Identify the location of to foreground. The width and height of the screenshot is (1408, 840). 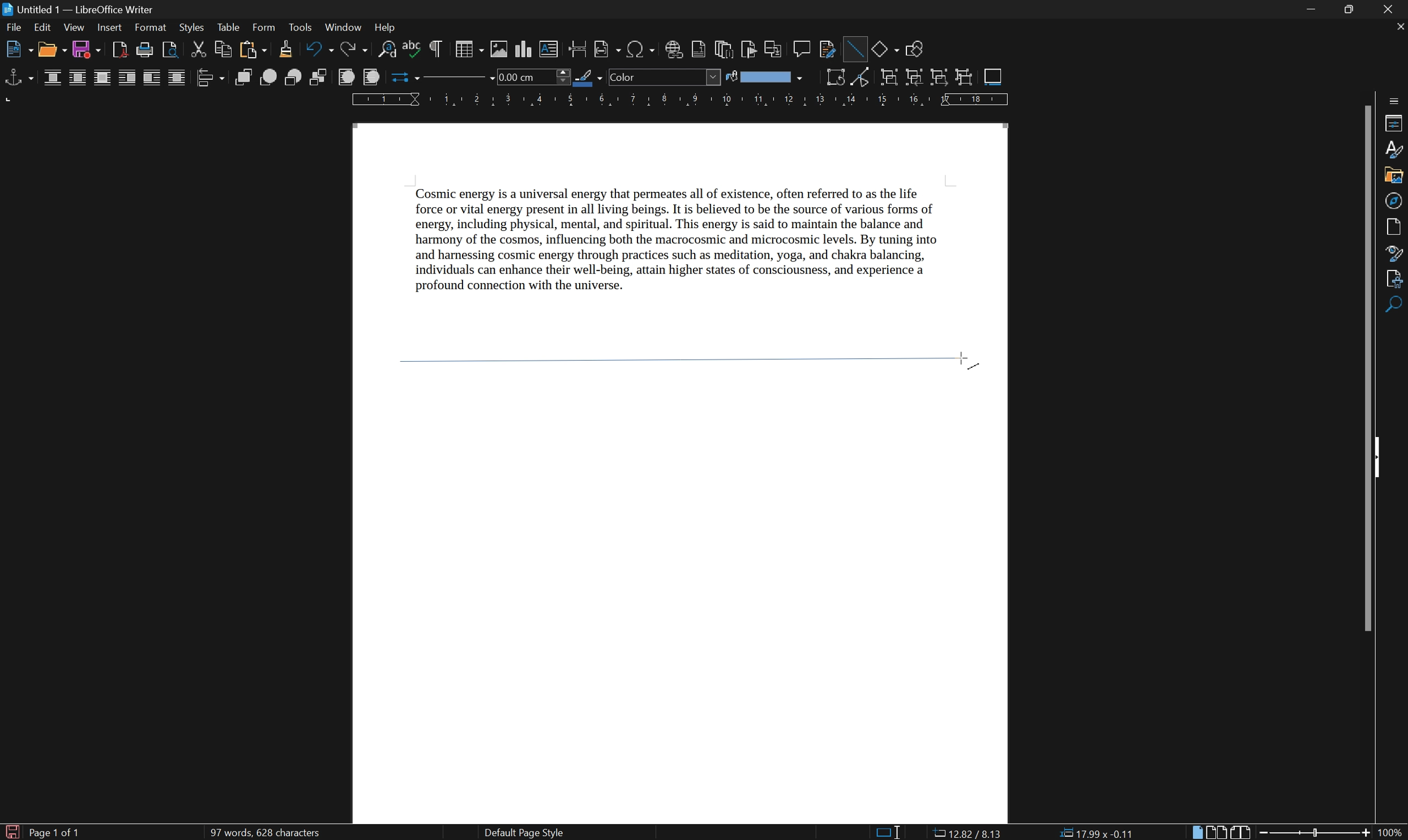
(347, 76).